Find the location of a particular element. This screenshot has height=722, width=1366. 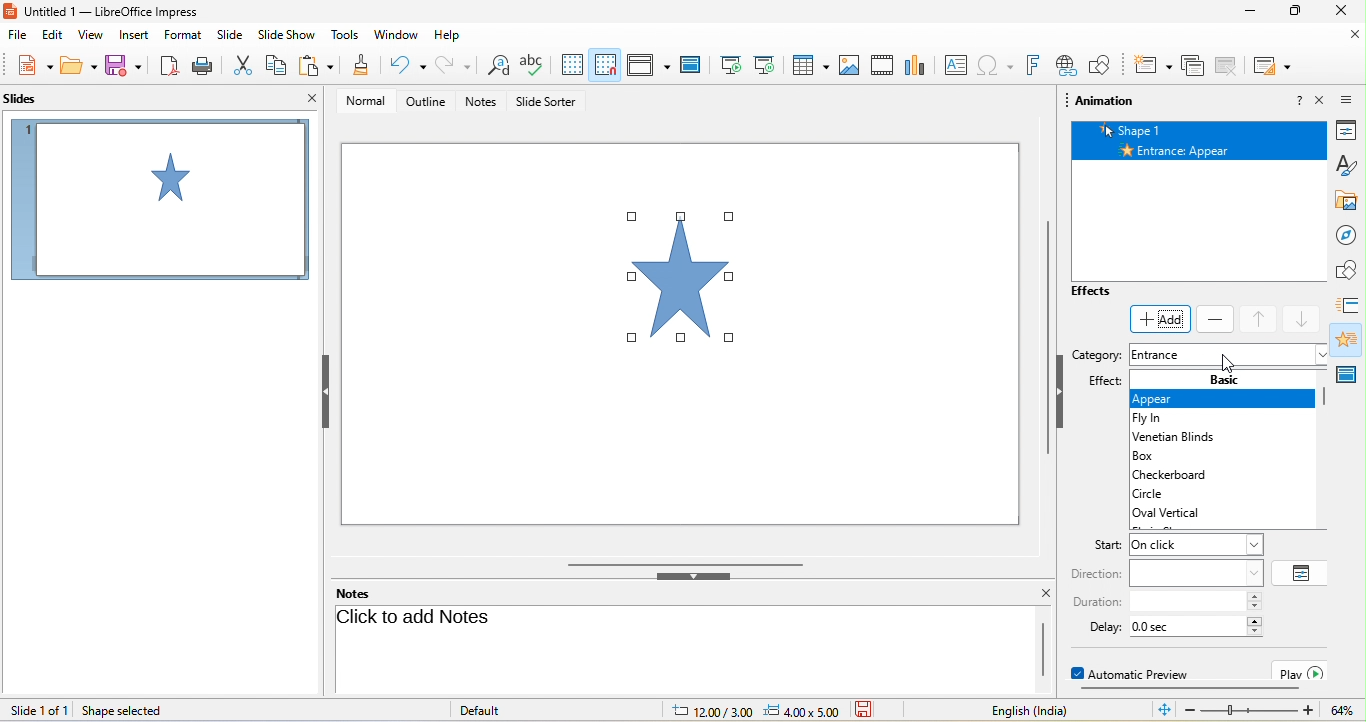

table is located at coordinates (807, 64).